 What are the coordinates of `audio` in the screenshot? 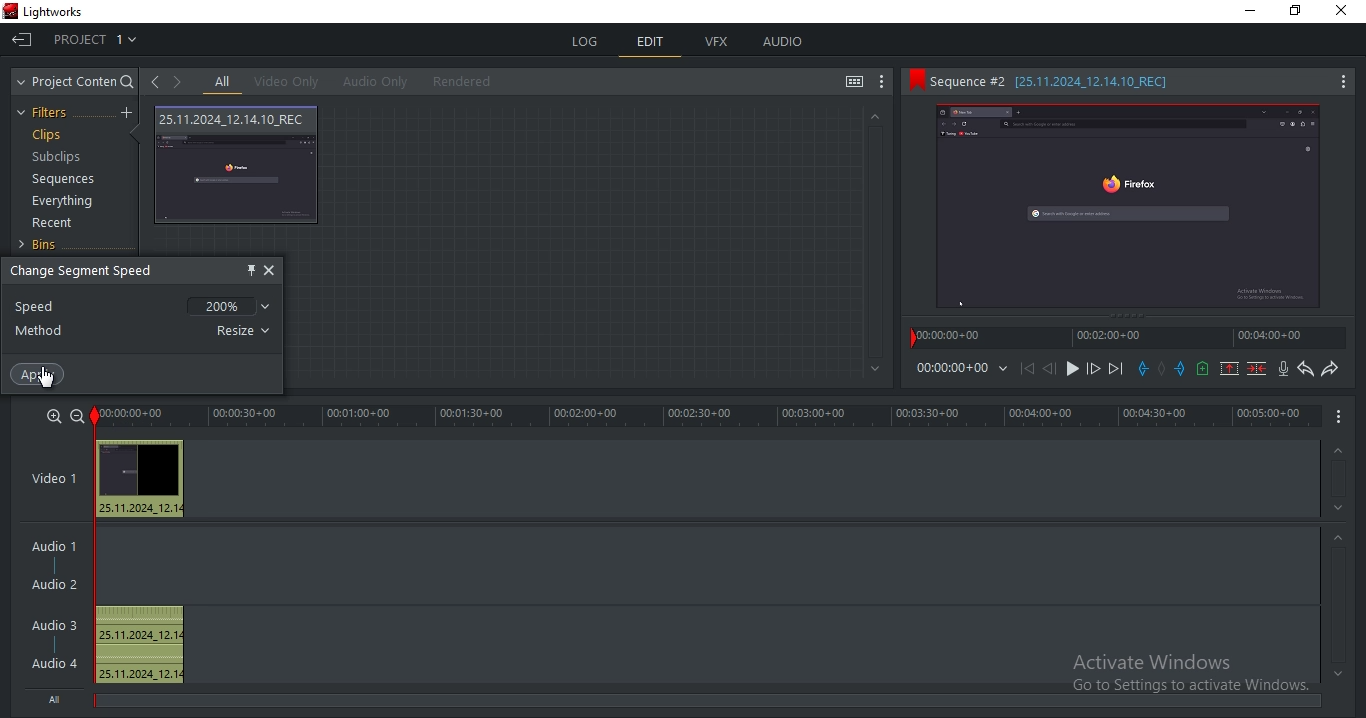 It's located at (140, 645).